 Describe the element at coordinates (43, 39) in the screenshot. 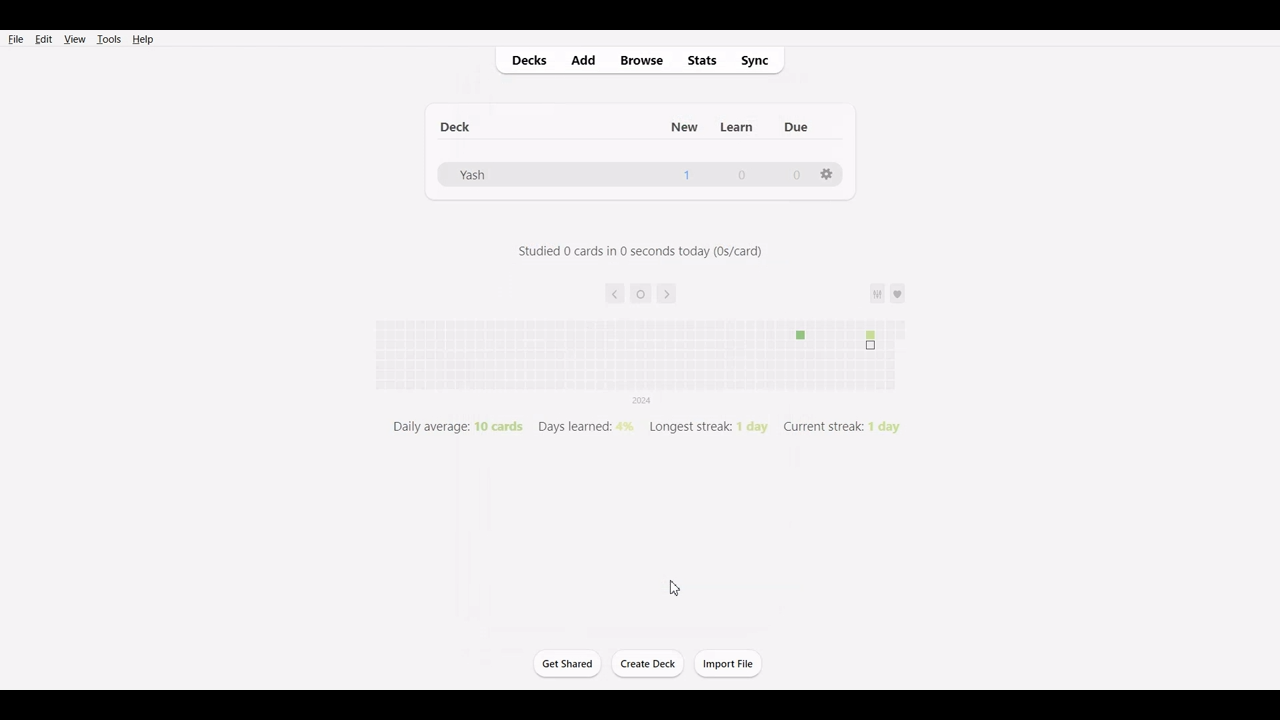

I see `Edit` at that location.